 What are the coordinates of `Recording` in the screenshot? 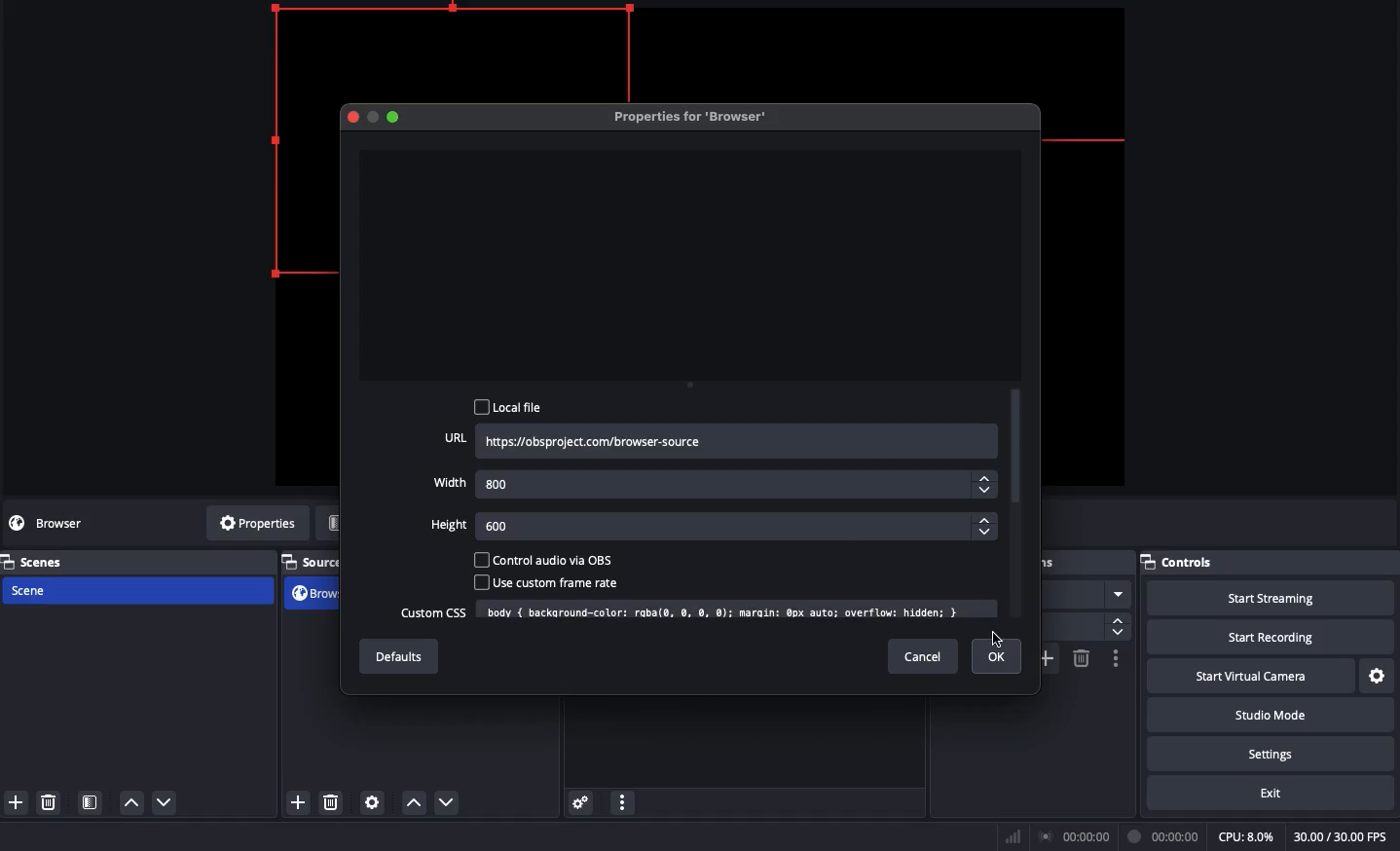 It's located at (1161, 836).